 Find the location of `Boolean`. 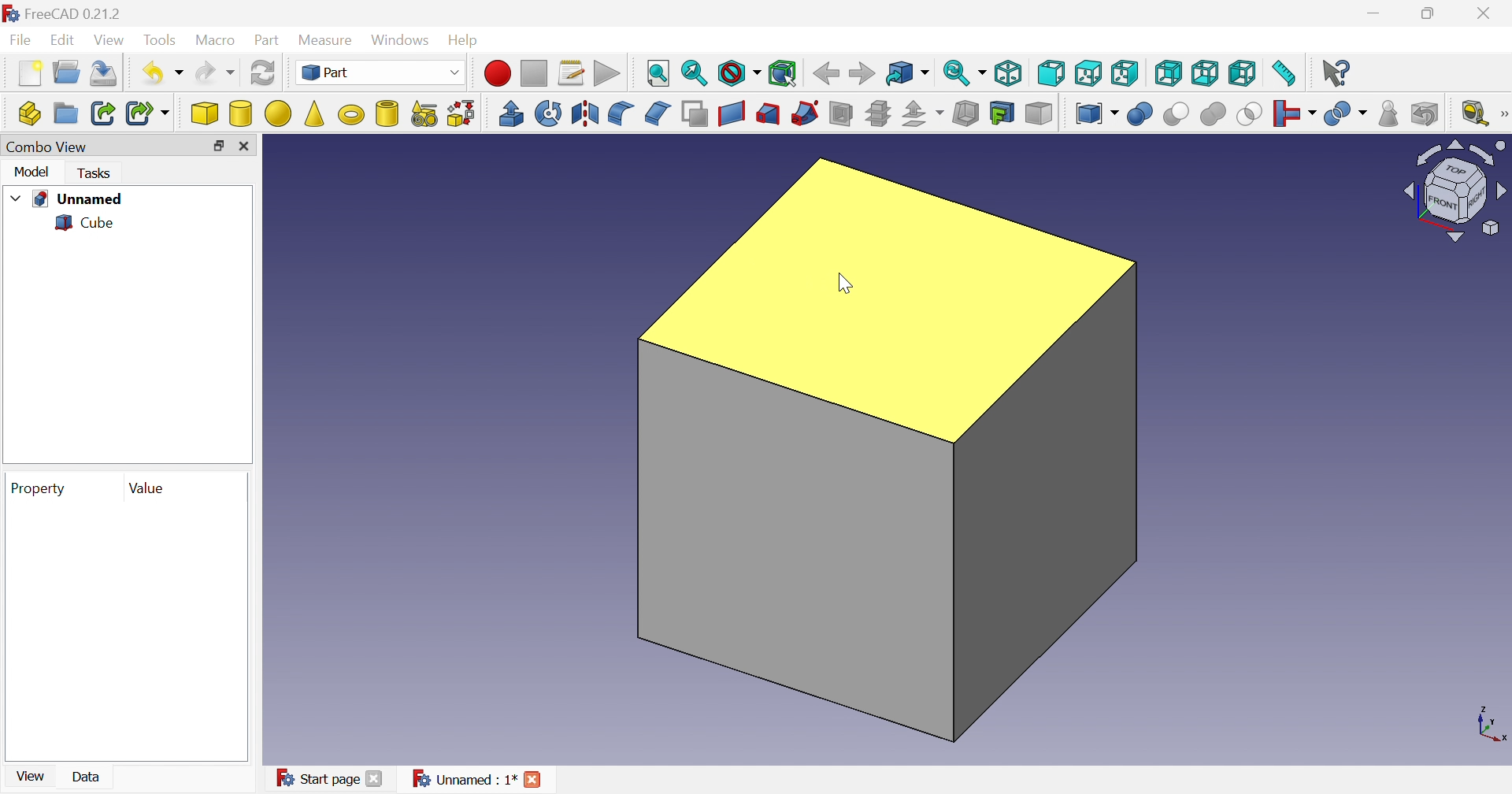

Boolean is located at coordinates (1141, 113).